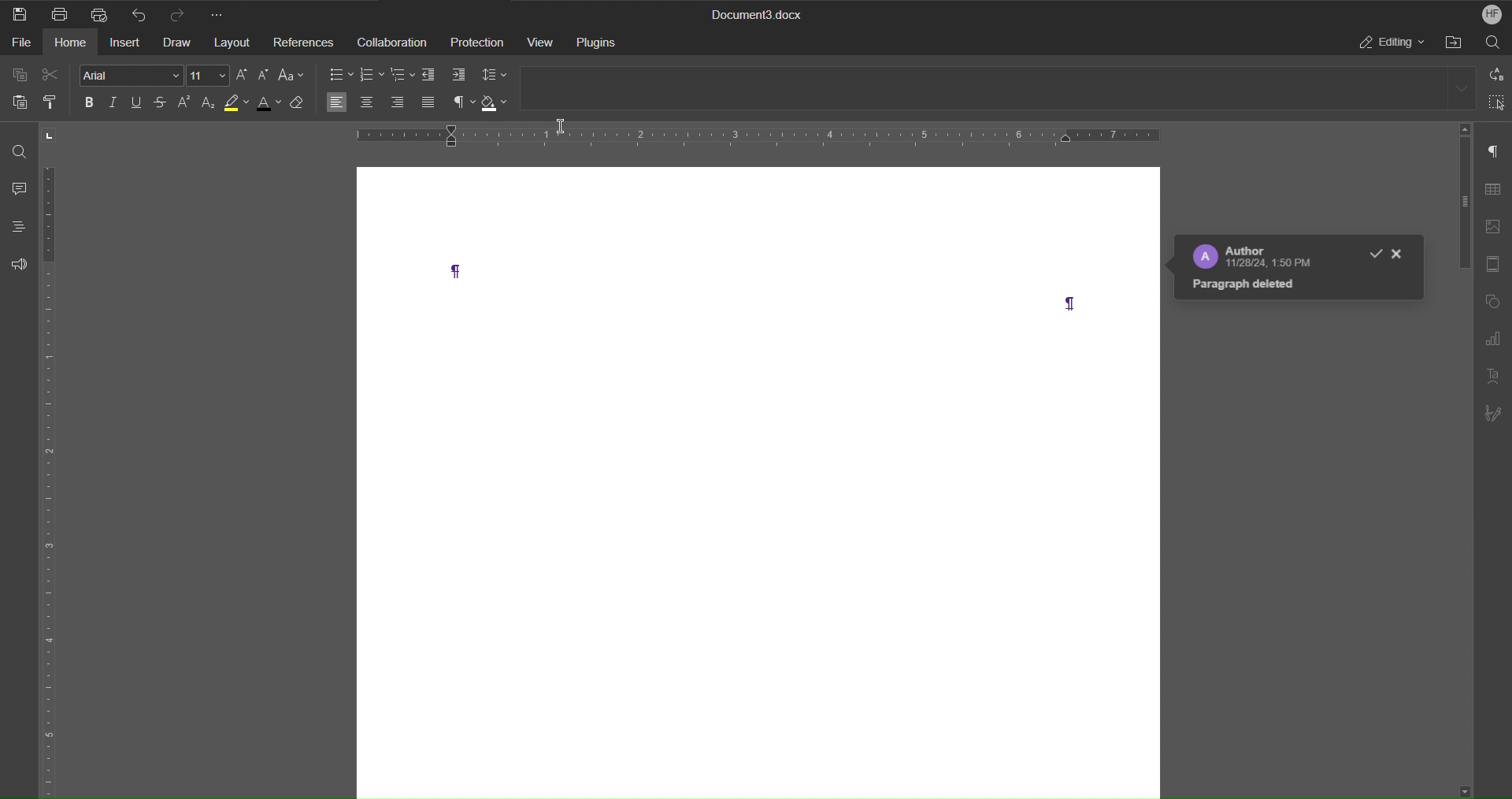 This screenshot has height=799, width=1512. Describe the element at coordinates (220, 14) in the screenshot. I see `More` at that location.